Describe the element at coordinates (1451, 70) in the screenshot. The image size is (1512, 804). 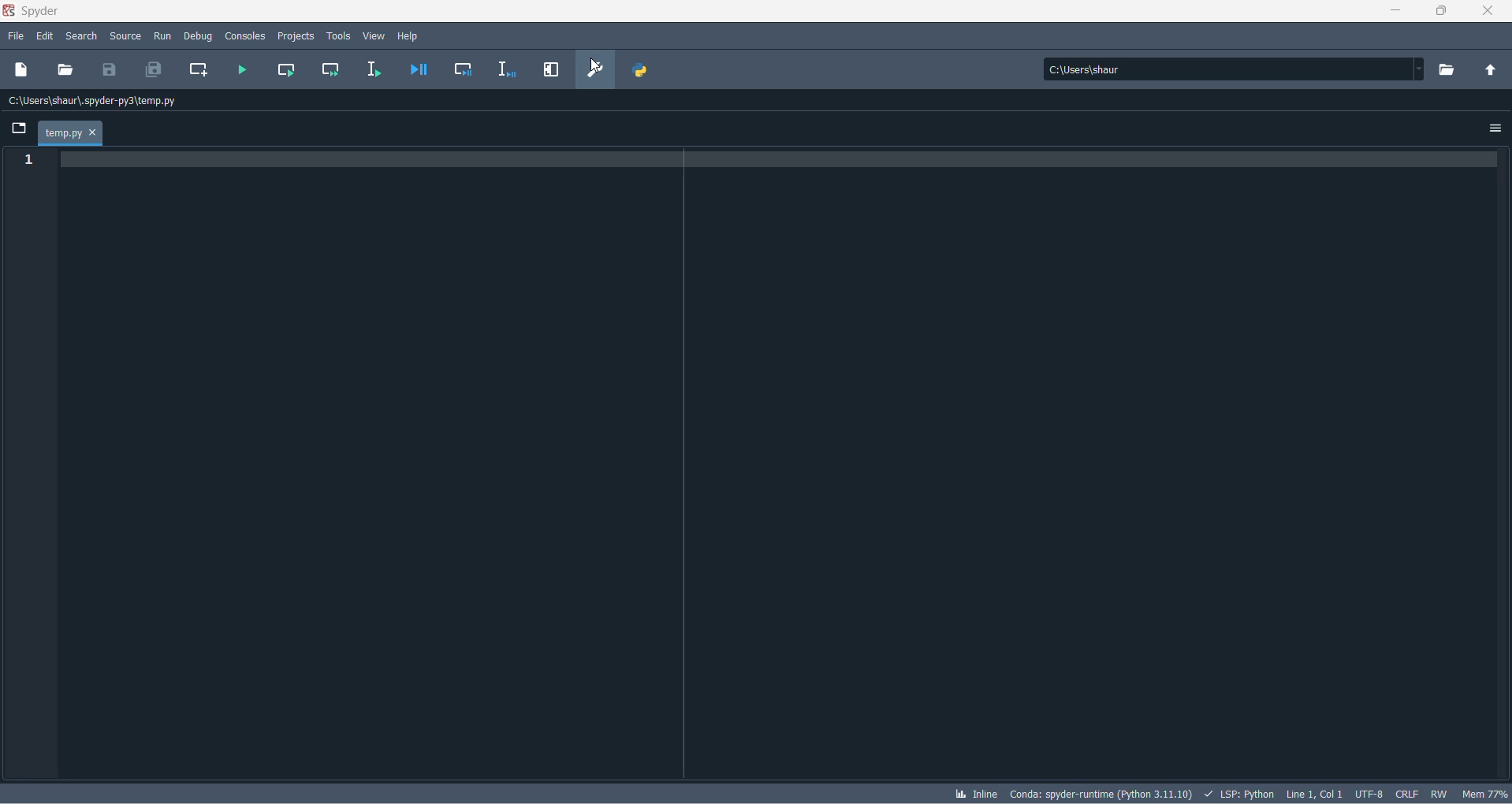
I see `directory` at that location.